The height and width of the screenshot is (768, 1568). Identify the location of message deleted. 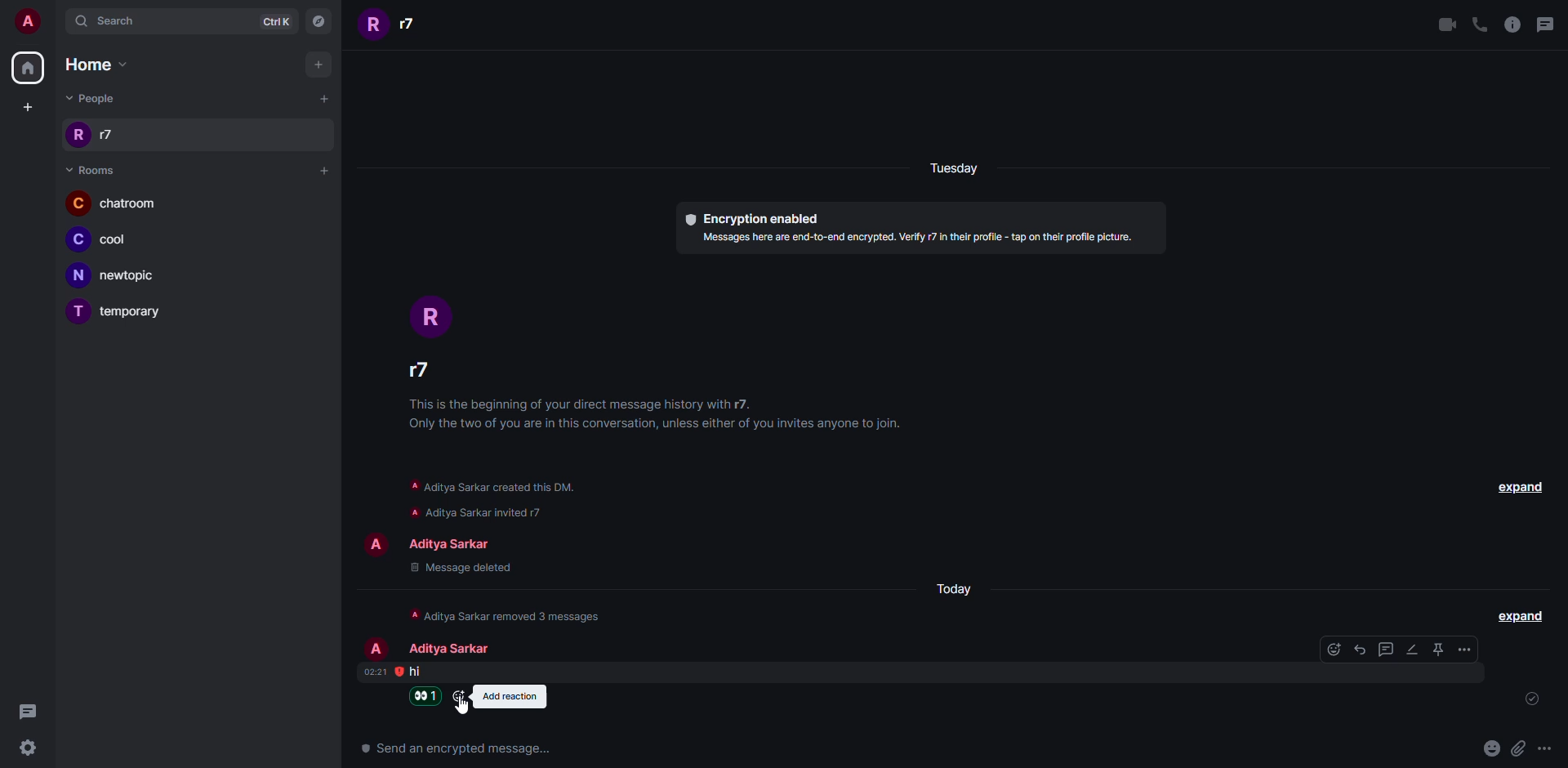
(461, 567).